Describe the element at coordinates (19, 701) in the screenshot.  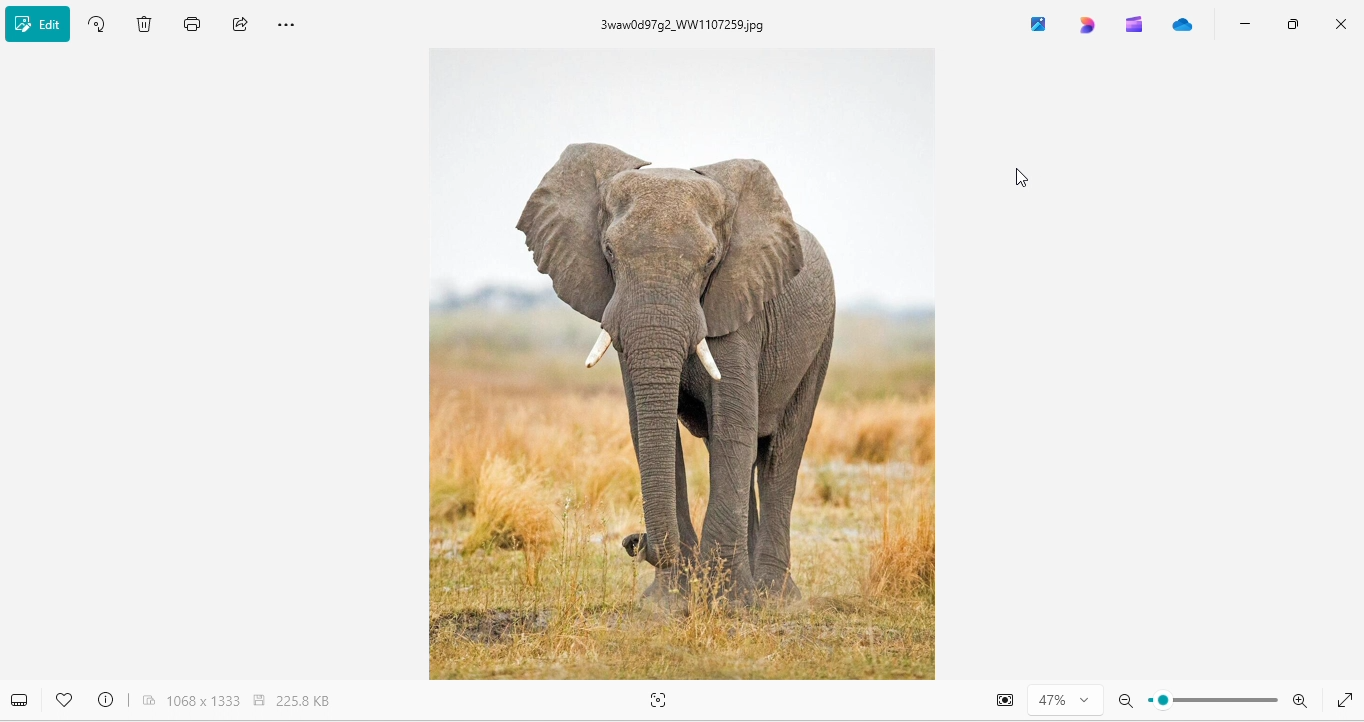
I see `show flimstrip` at that location.